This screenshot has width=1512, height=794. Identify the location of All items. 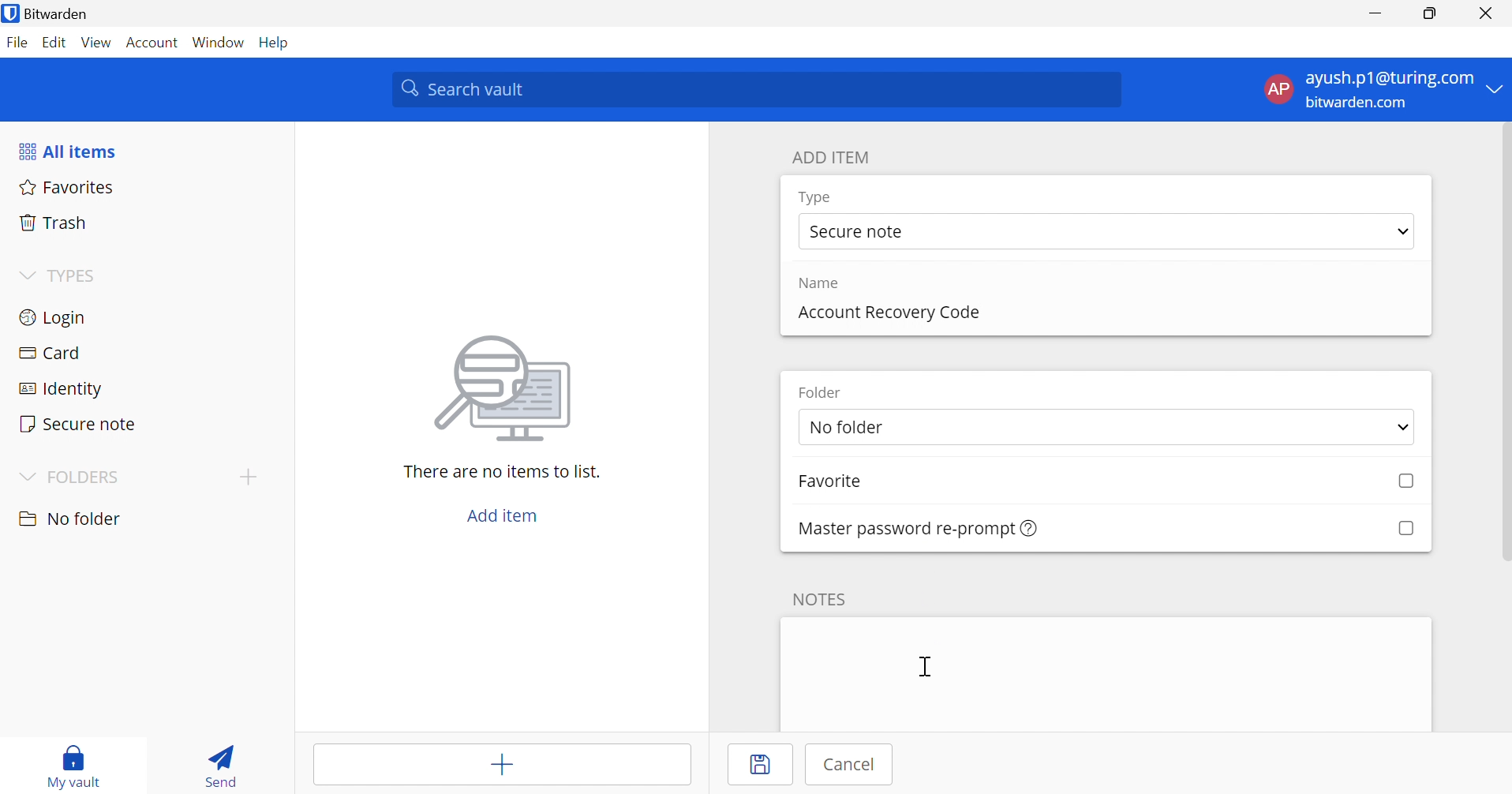
(71, 153).